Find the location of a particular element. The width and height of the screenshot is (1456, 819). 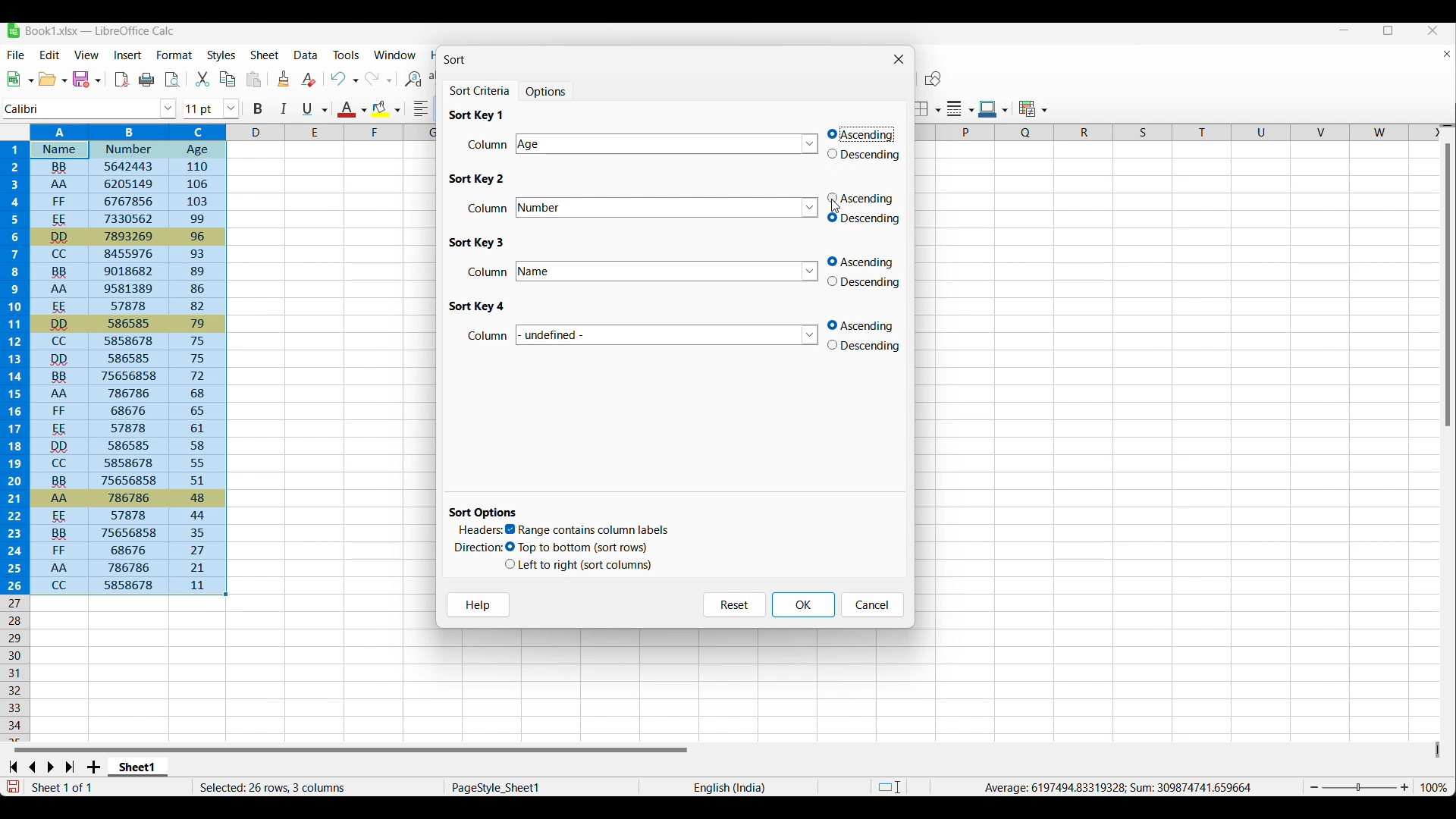

descending is located at coordinates (865, 219).